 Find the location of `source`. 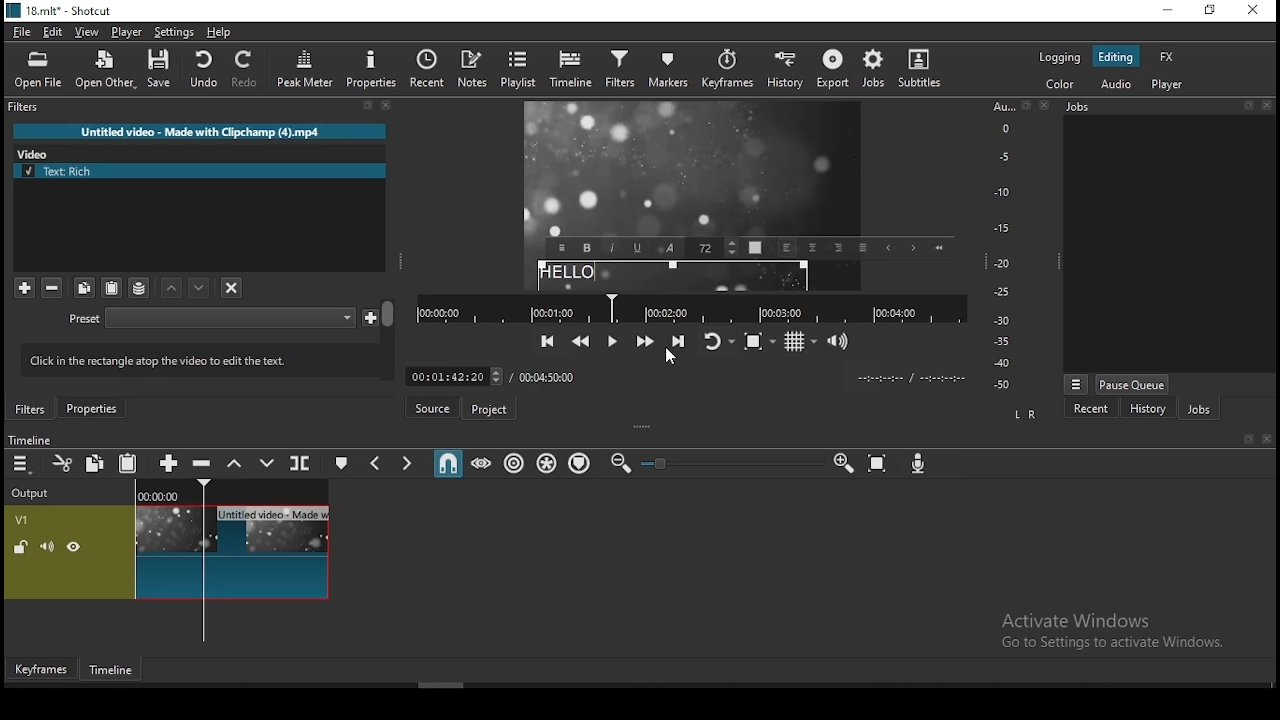

source is located at coordinates (431, 407).